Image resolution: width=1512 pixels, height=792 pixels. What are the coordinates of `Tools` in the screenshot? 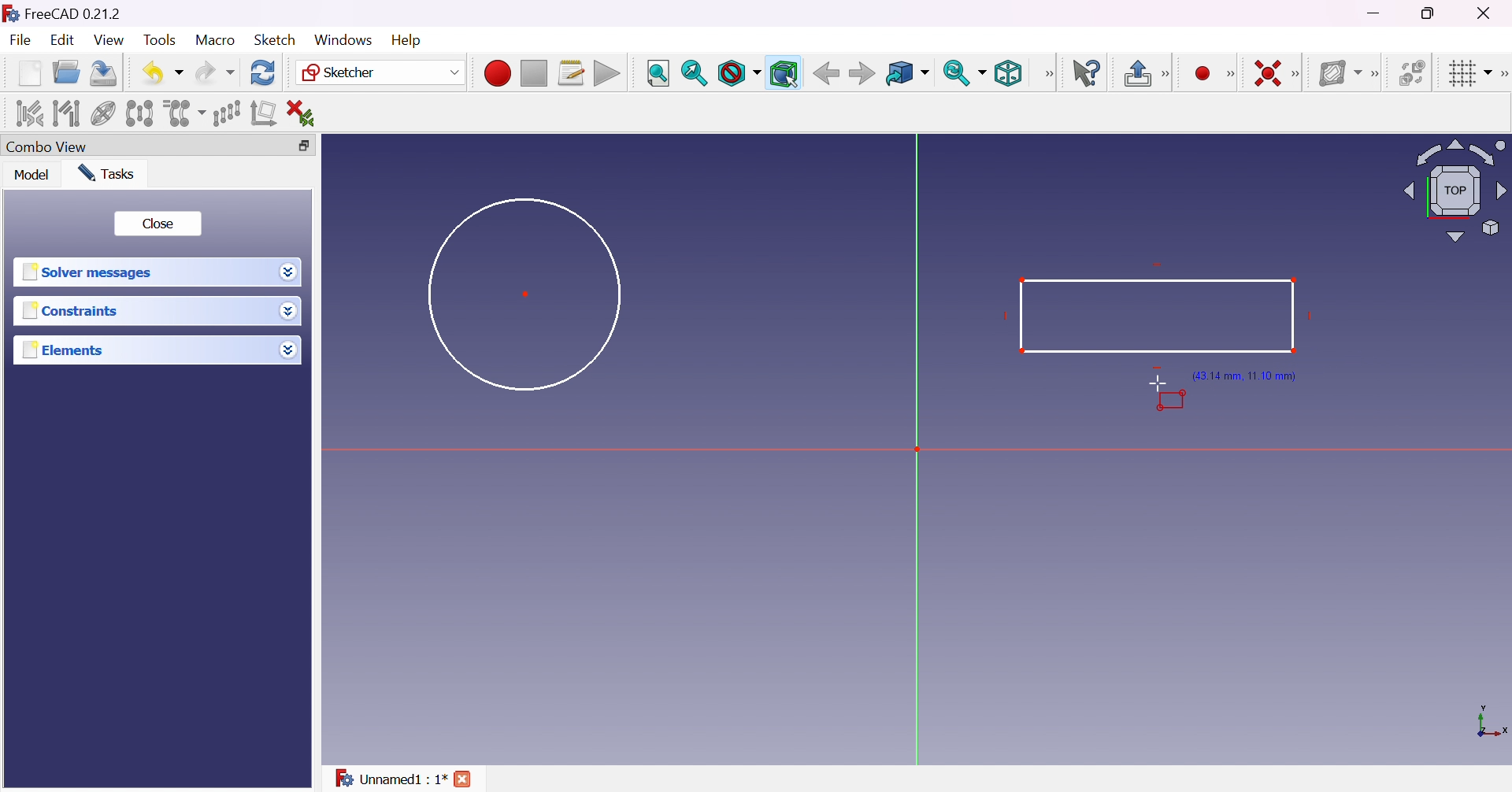 It's located at (161, 40).